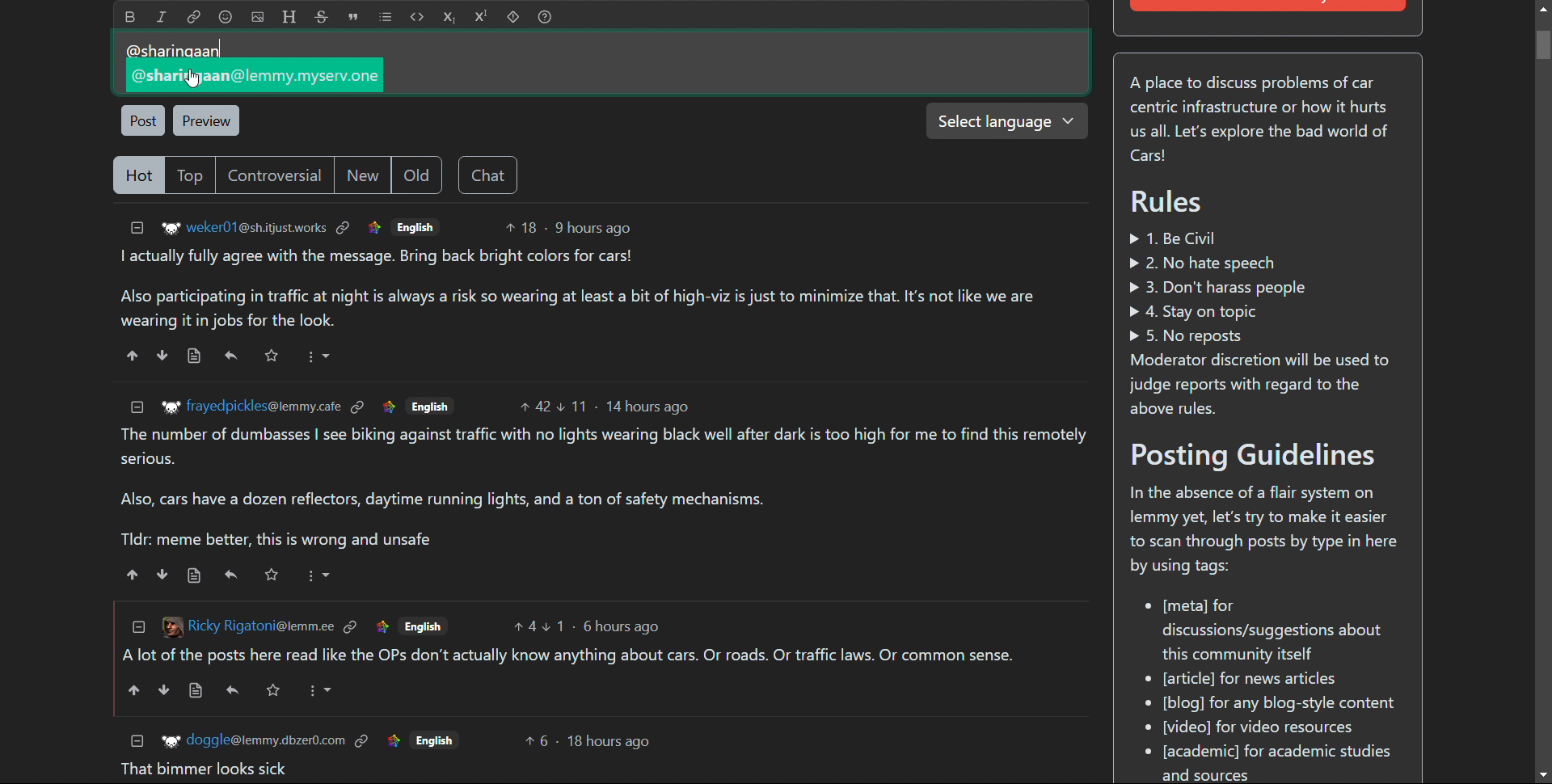 The image size is (1552, 784). Describe the element at coordinates (321, 356) in the screenshot. I see `More` at that location.